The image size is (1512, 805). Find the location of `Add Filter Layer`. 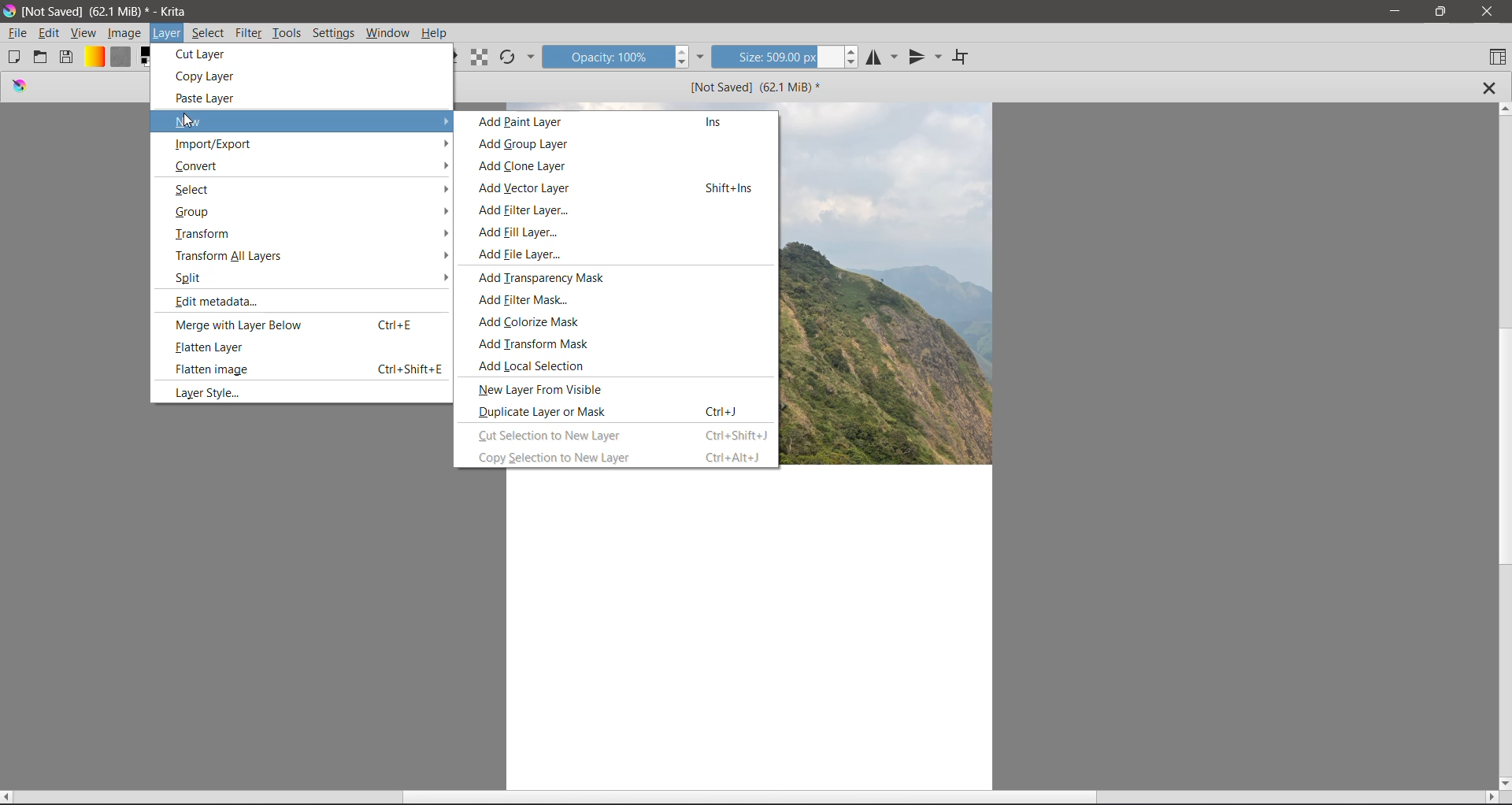

Add Filter Layer is located at coordinates (523, 210).